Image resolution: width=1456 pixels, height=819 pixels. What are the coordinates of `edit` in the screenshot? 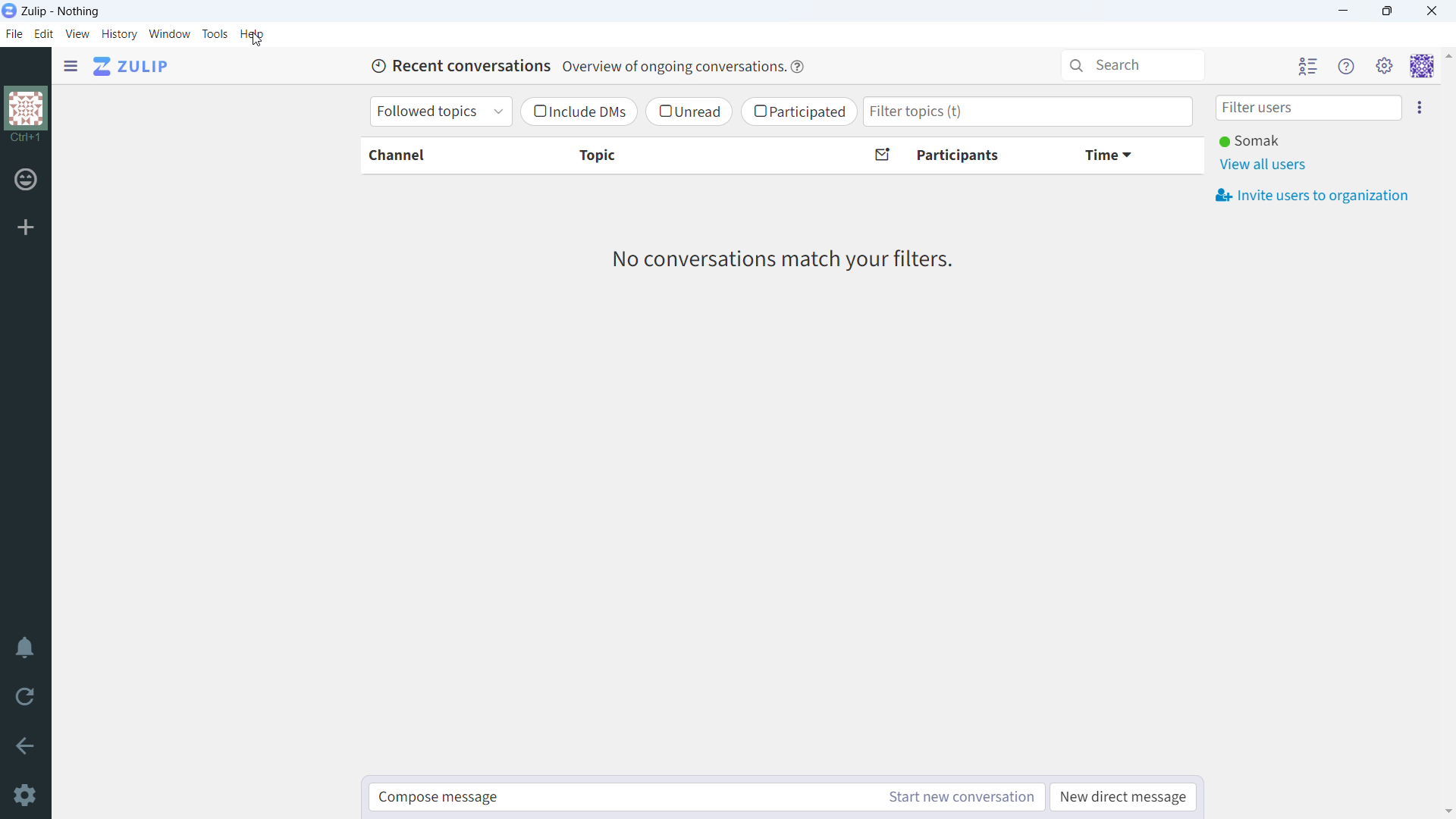 It's located at (45, 34).